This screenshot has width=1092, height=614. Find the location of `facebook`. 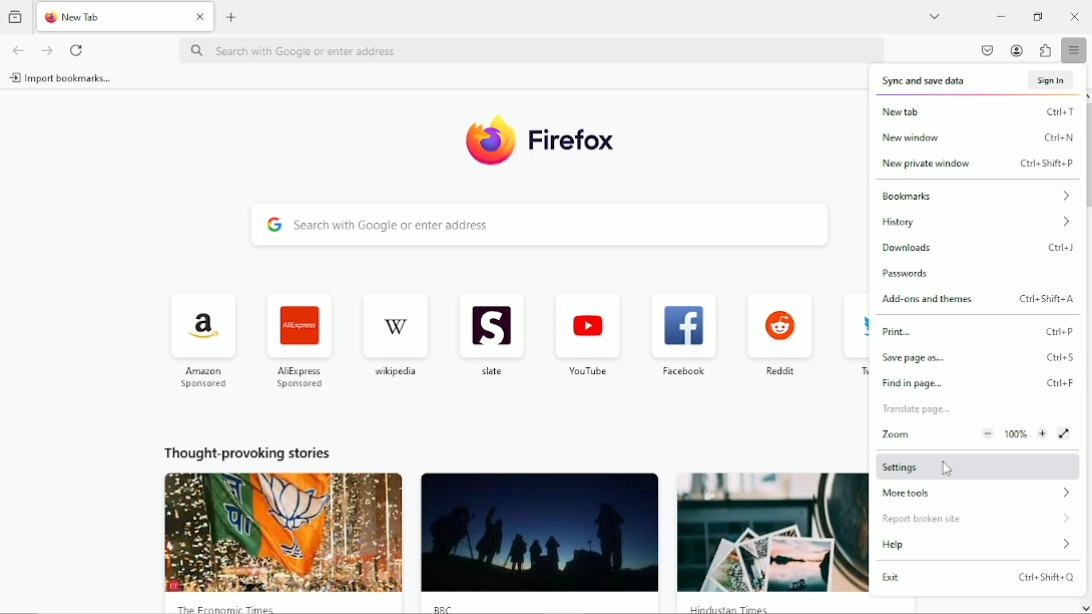

facebook is located at coordinates (683, 321).